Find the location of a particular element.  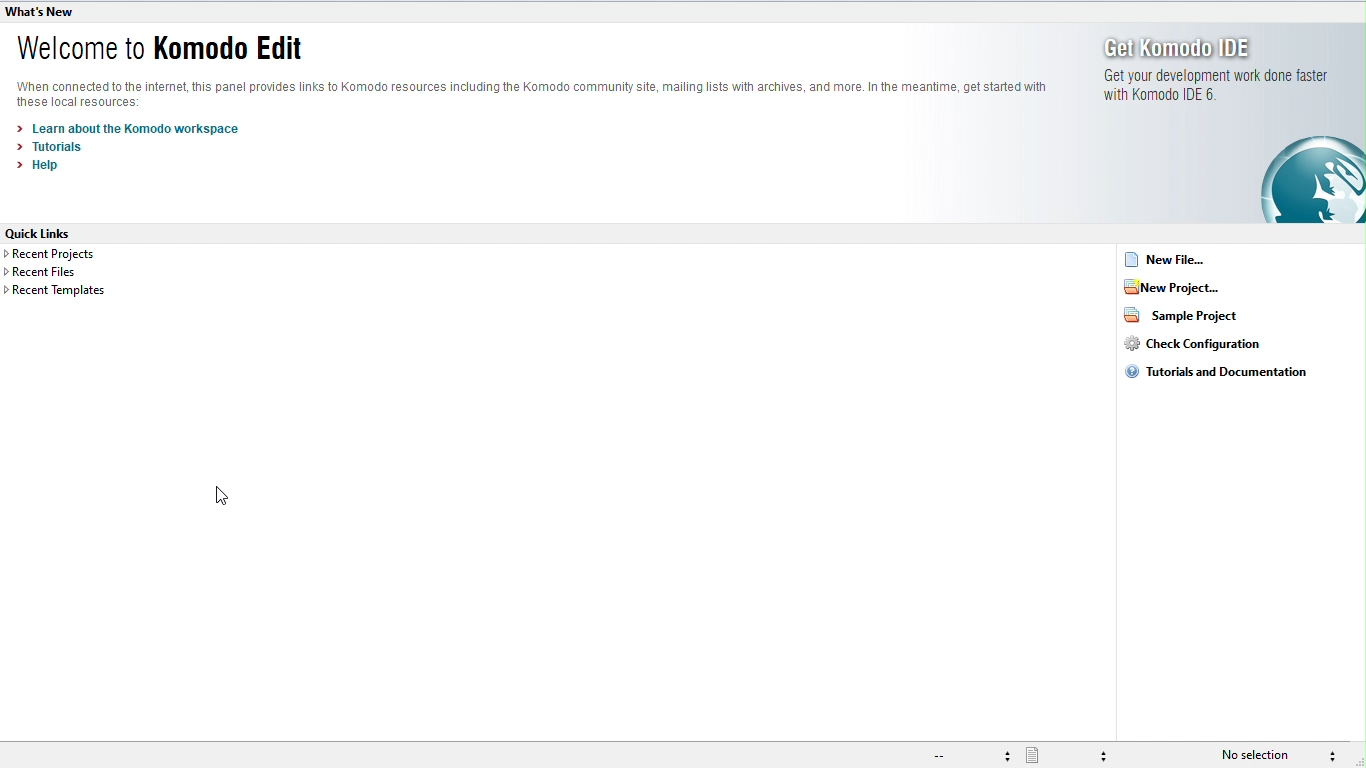

no selection is located at coordinates (1263, 755).